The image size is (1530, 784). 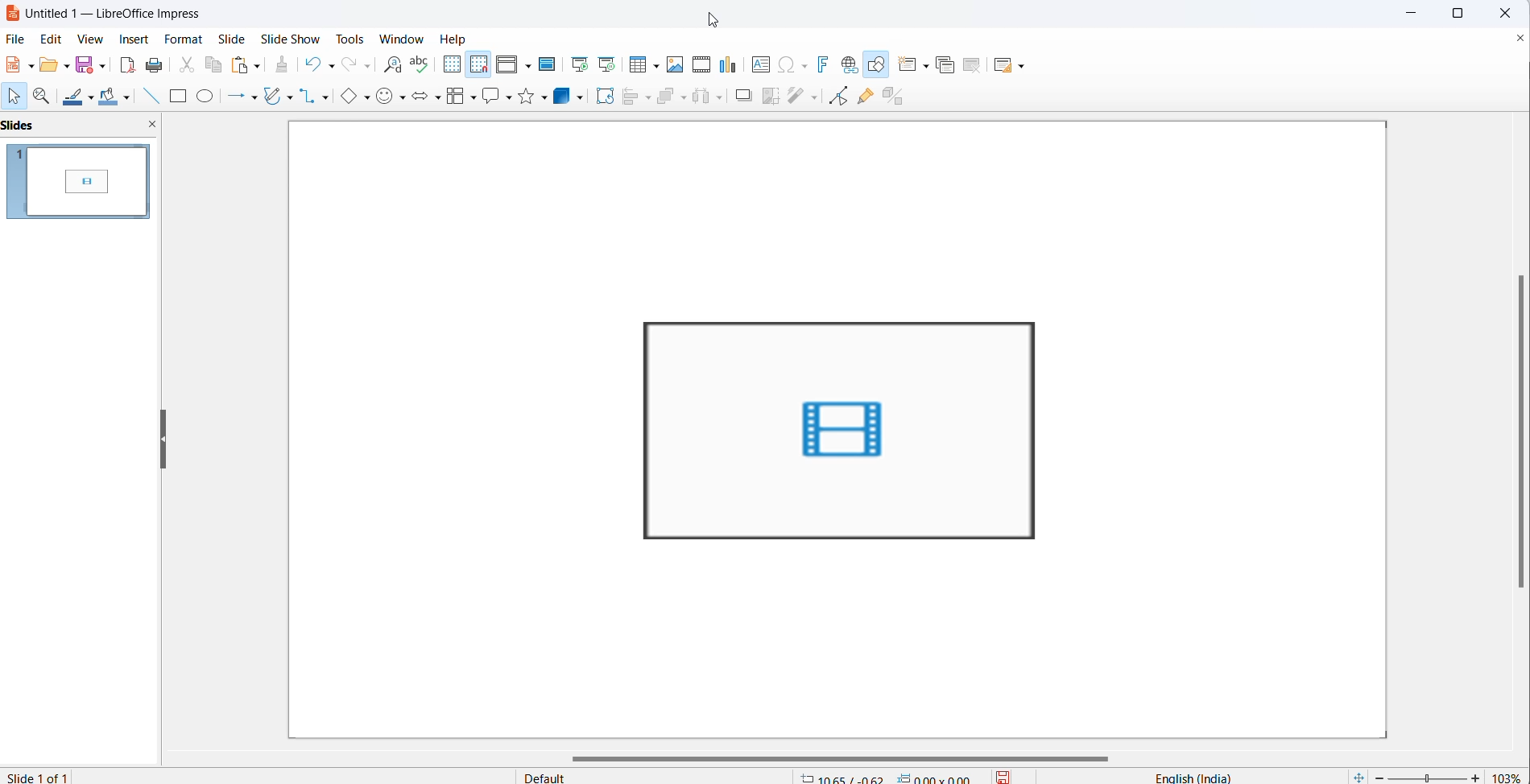 I want to click on new slide, so click(x=906, y=65).